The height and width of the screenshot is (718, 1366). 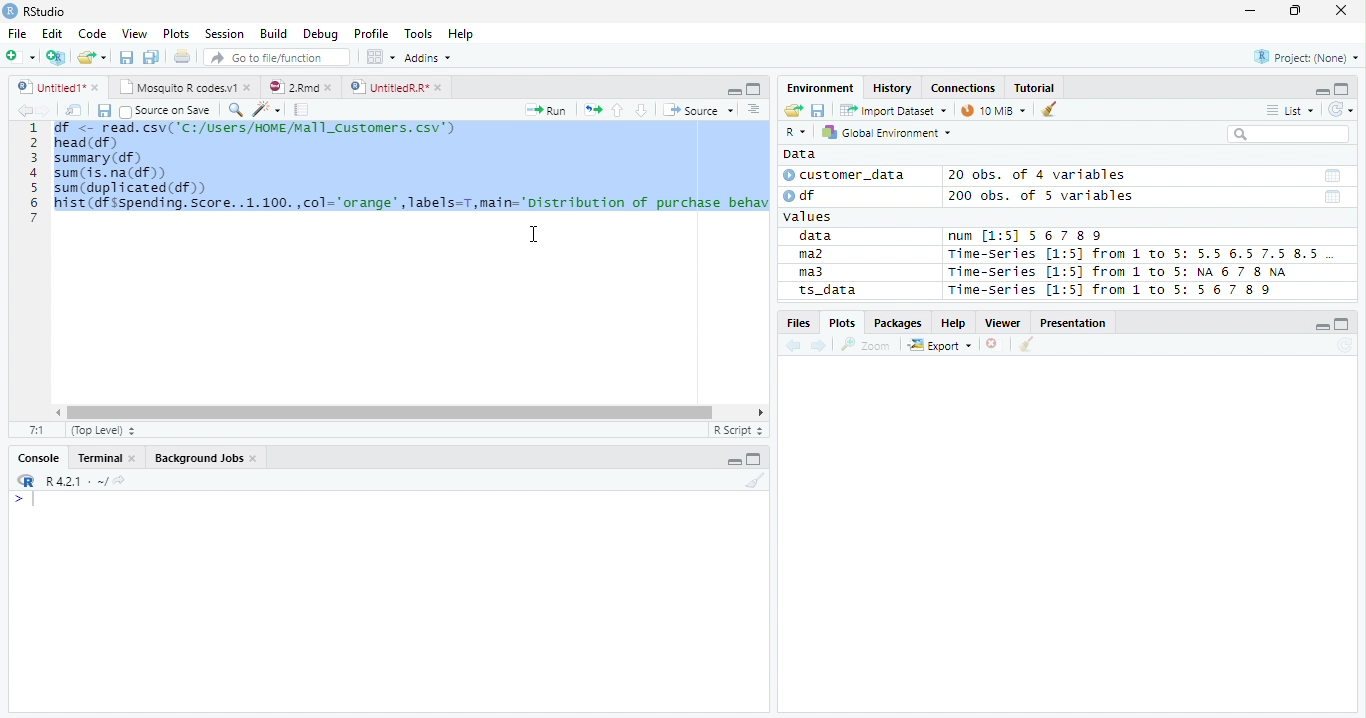 I want to click on Session, so click(x=223, y=33).